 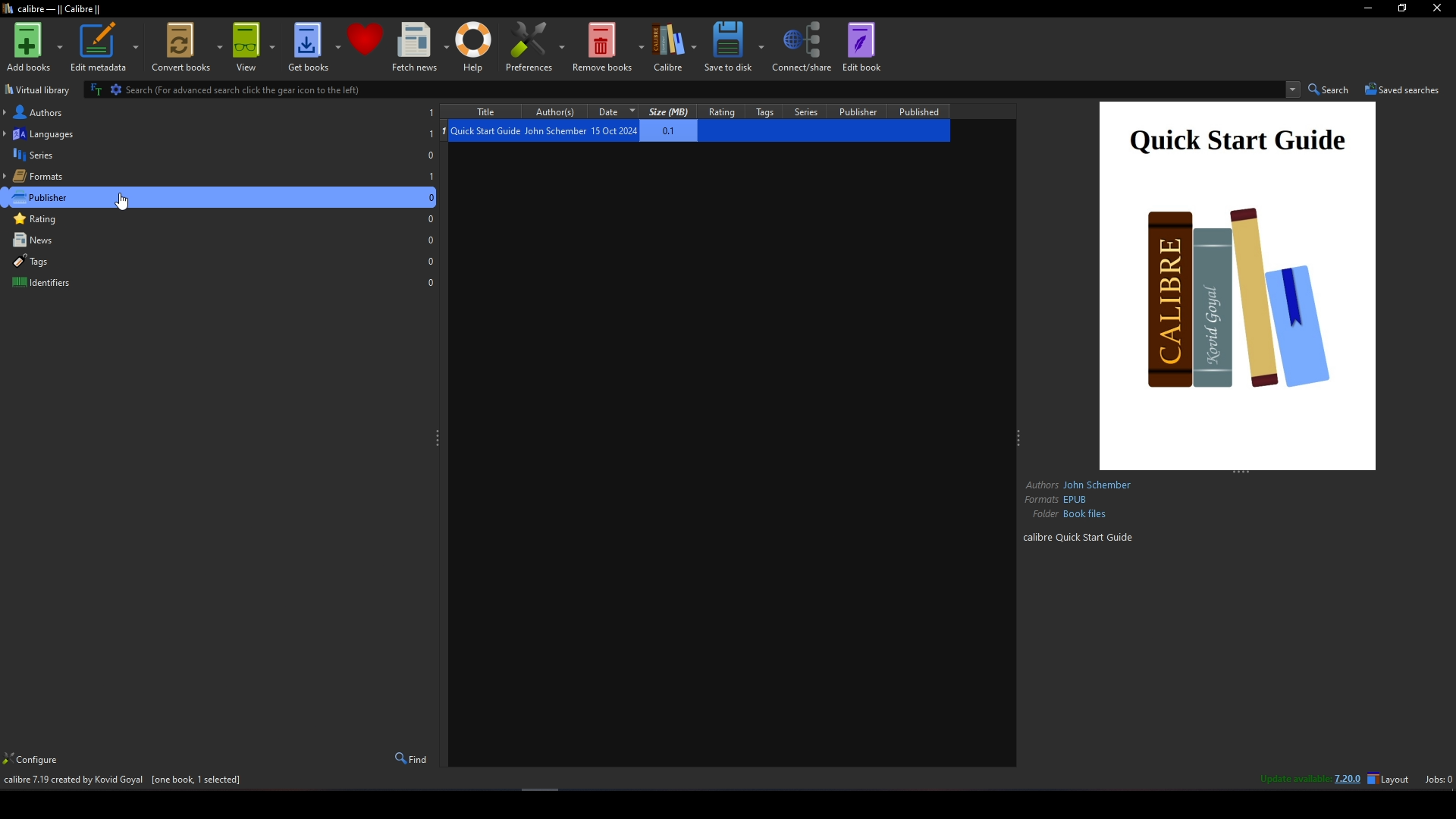 What do you see at coordinates (410, 758) in the screenshot?
I see `Find` at bounding box center [410, 758].